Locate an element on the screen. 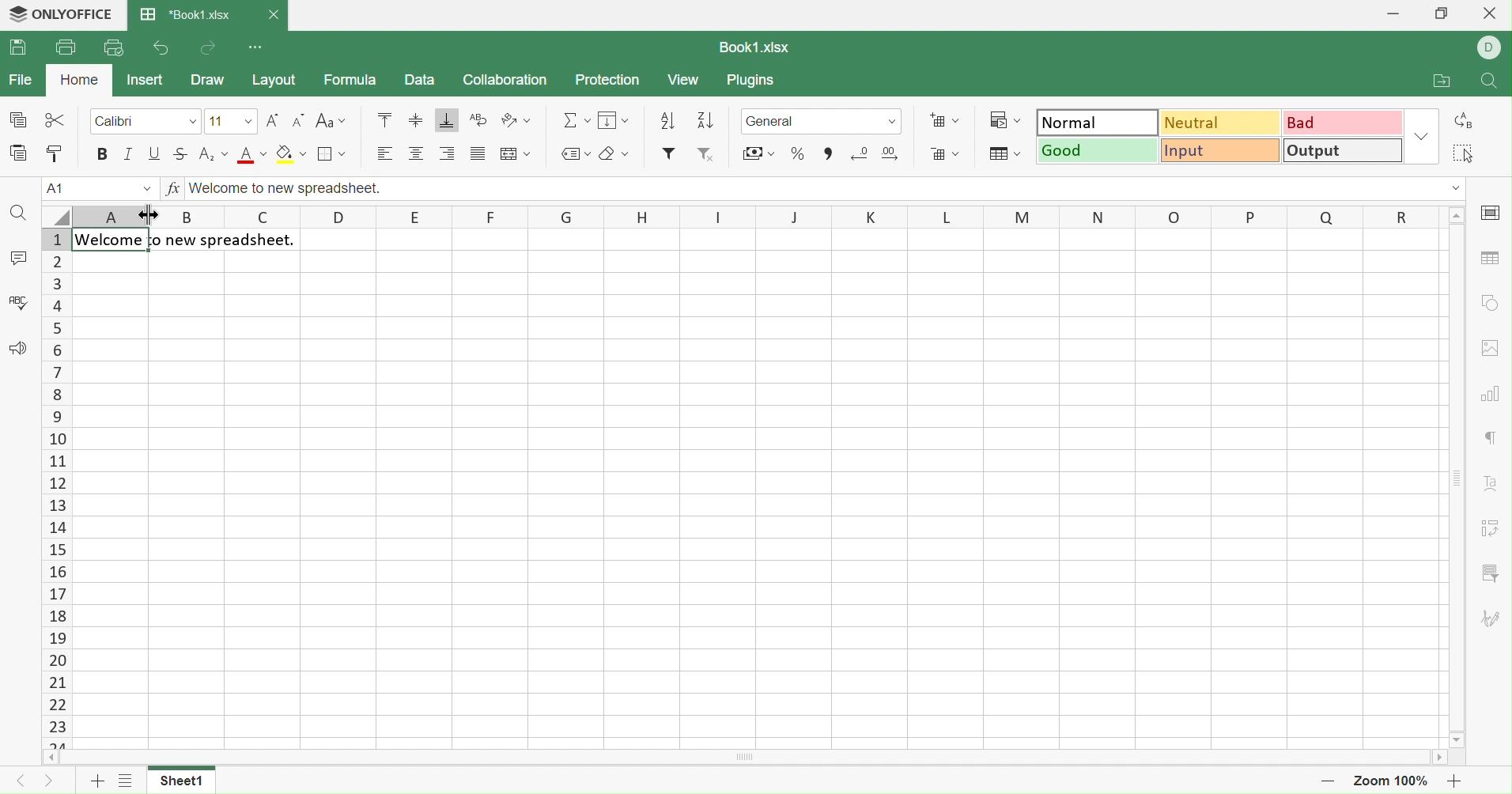  General is located at coordinates (822, 119).